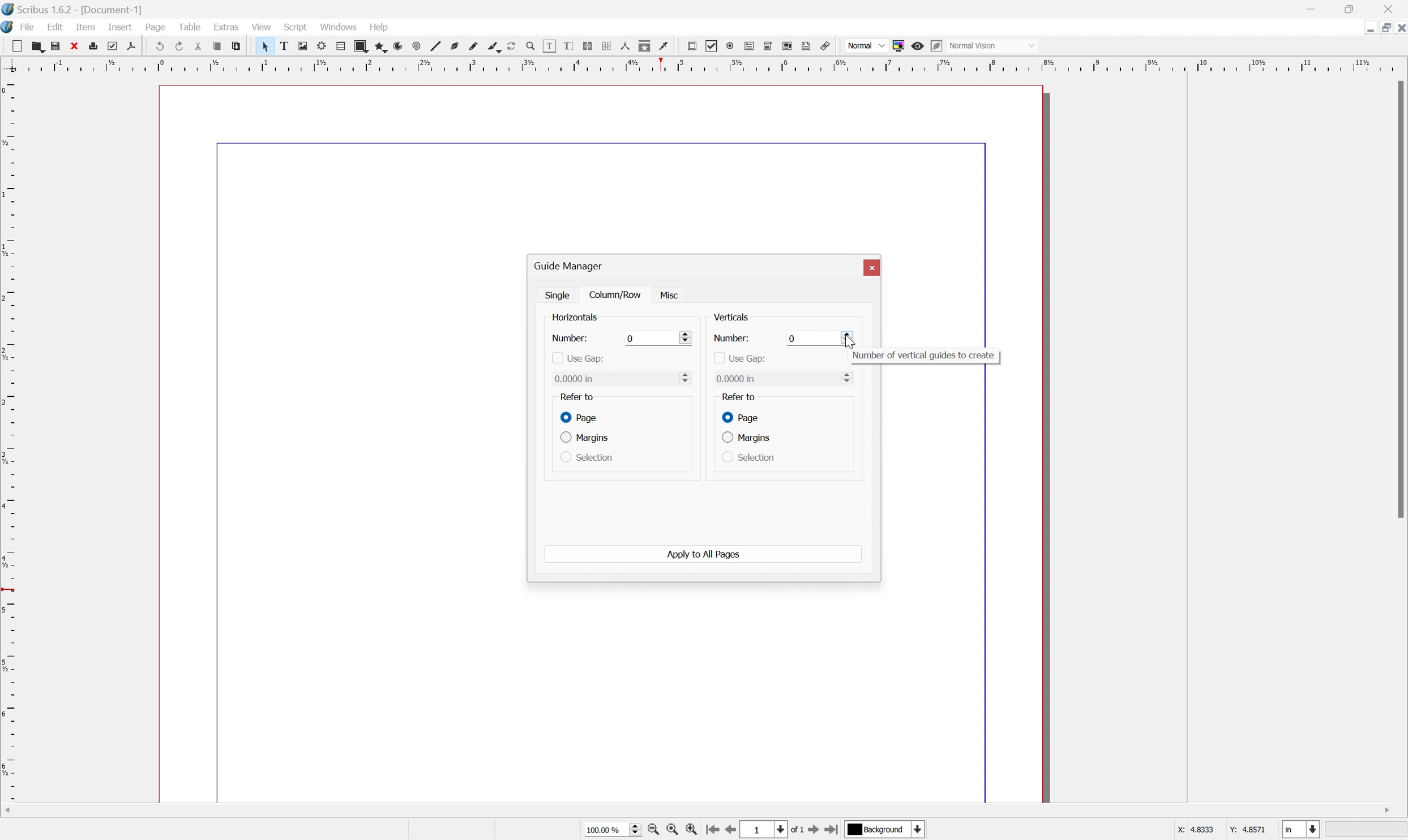  What do you see at coordinates (704, 65) in the screenshot?
I see `ruler` at bounding box center [704, 65].